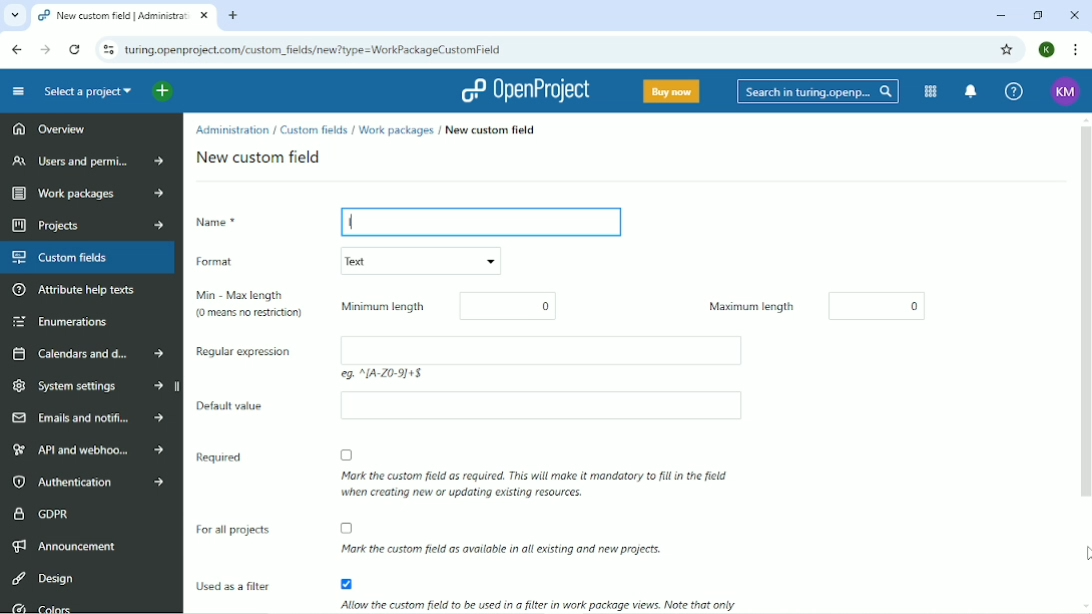 This screenshot has height=614, width=1092. What do you see at coordinates (42, 512) in the screenshot?
I see `GDPR` at bounding box center [42, 512].